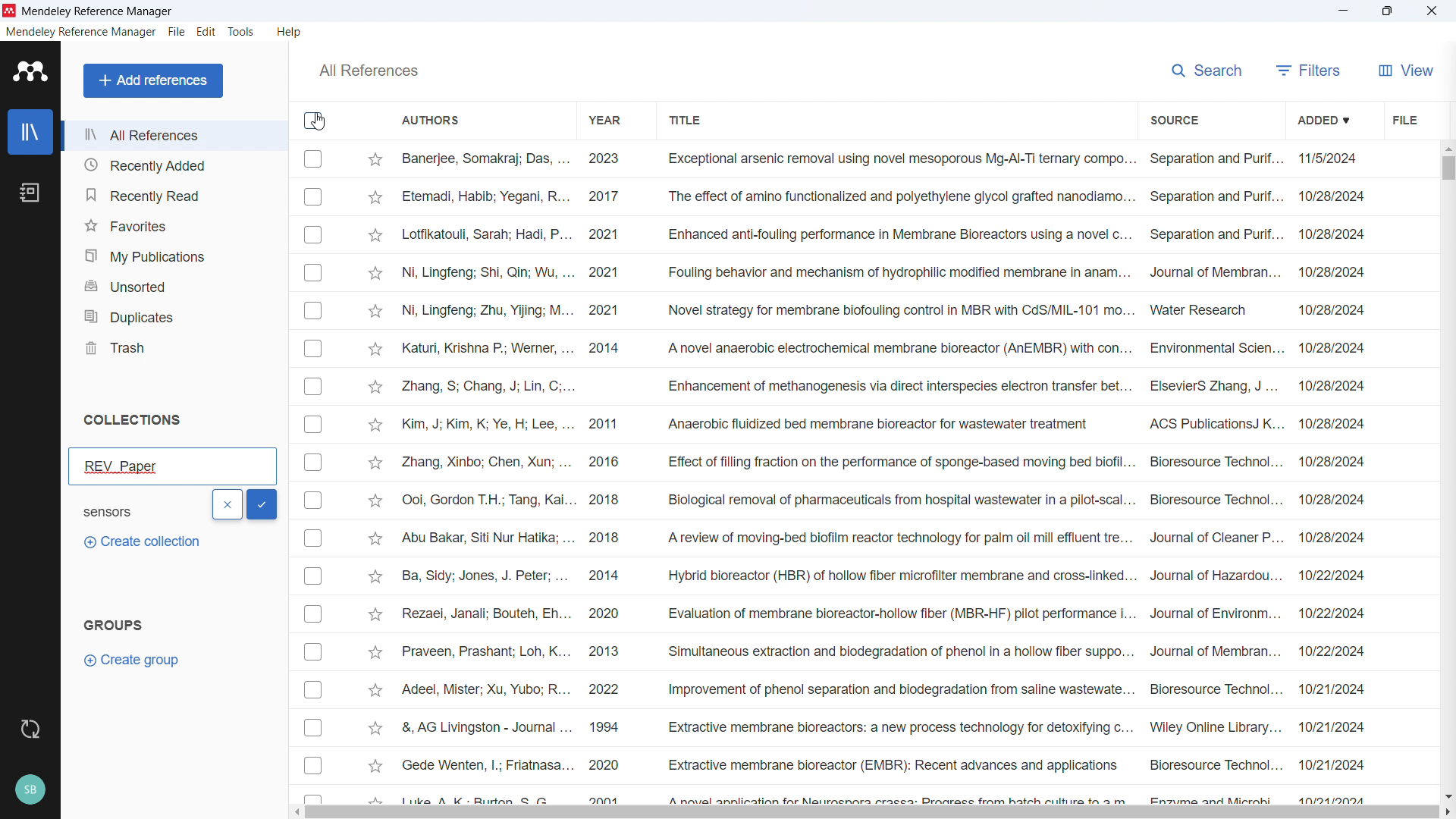  What do you see at coordinates (172, 193) in the screenshot?
I see `Recently read ` at bounding box center [172, 193].